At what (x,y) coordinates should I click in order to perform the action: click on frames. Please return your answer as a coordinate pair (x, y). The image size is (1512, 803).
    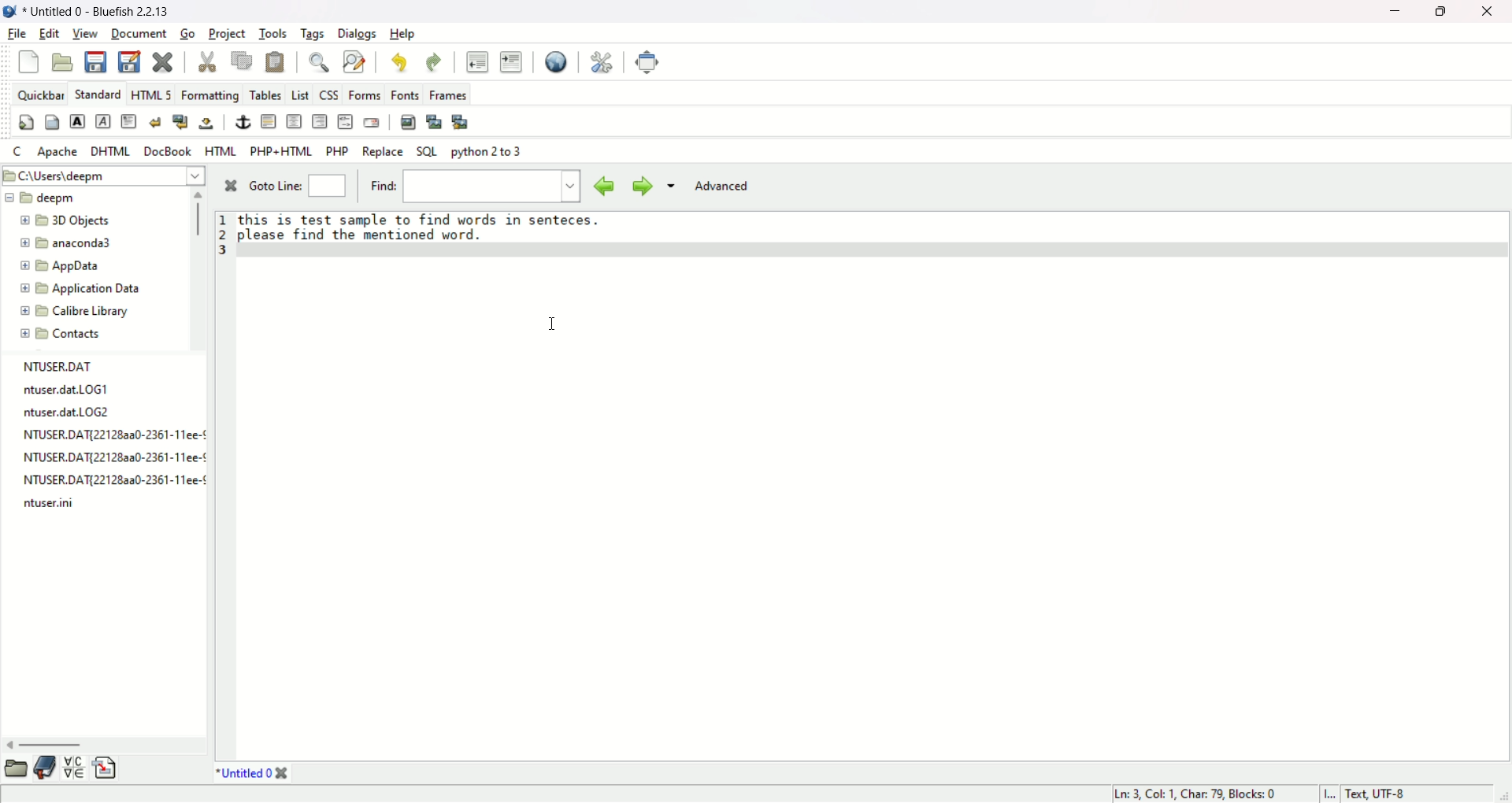
    Looking at the image, I should click on (467, 94).